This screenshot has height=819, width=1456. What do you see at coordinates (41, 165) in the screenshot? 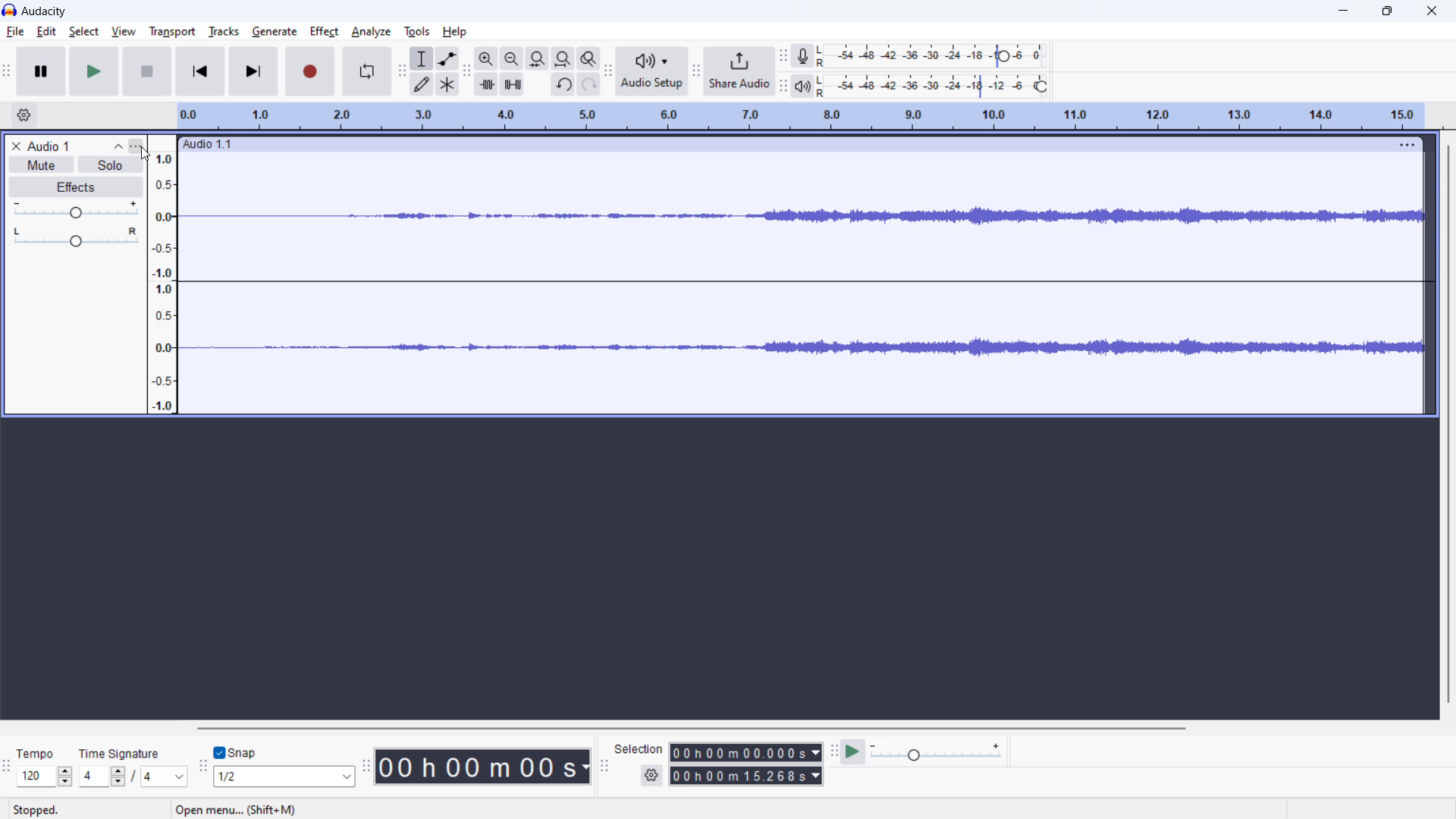
I see `mute` at bounding box center [41, 165].